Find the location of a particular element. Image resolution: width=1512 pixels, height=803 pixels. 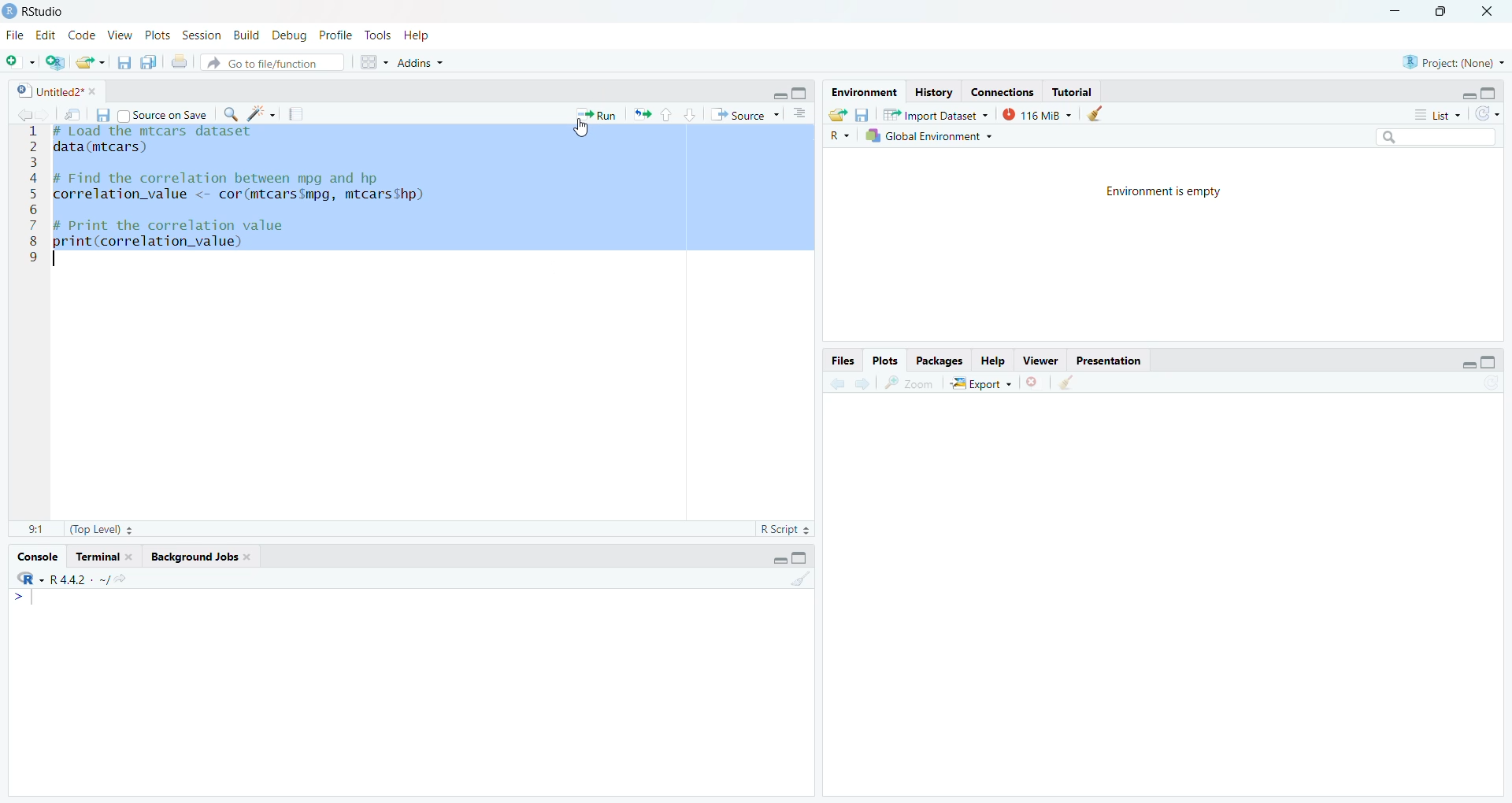

History is located at coordinates (936, 93).